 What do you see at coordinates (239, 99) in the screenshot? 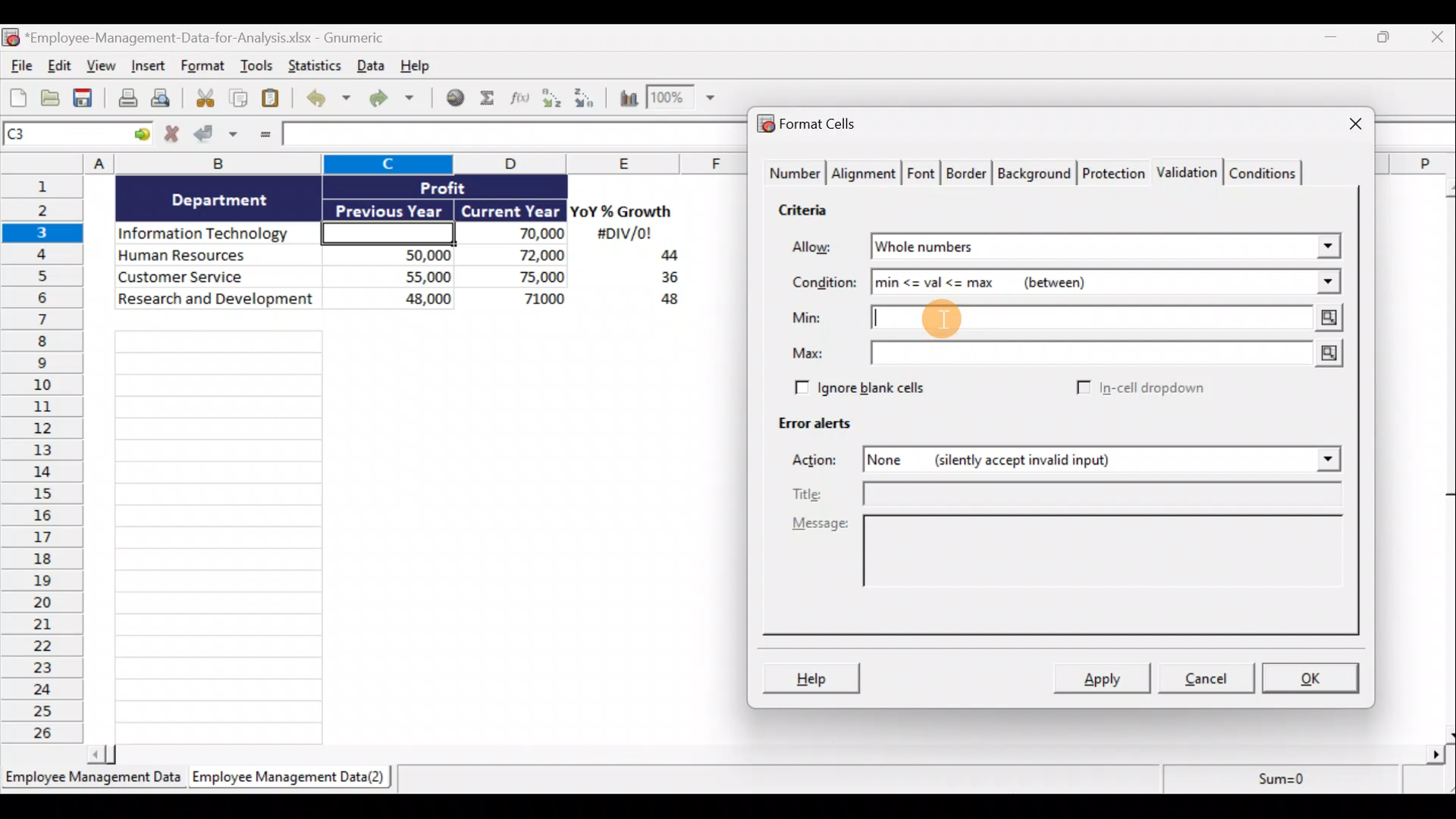
I see `Copy selection` at bounding box center [239, 99].